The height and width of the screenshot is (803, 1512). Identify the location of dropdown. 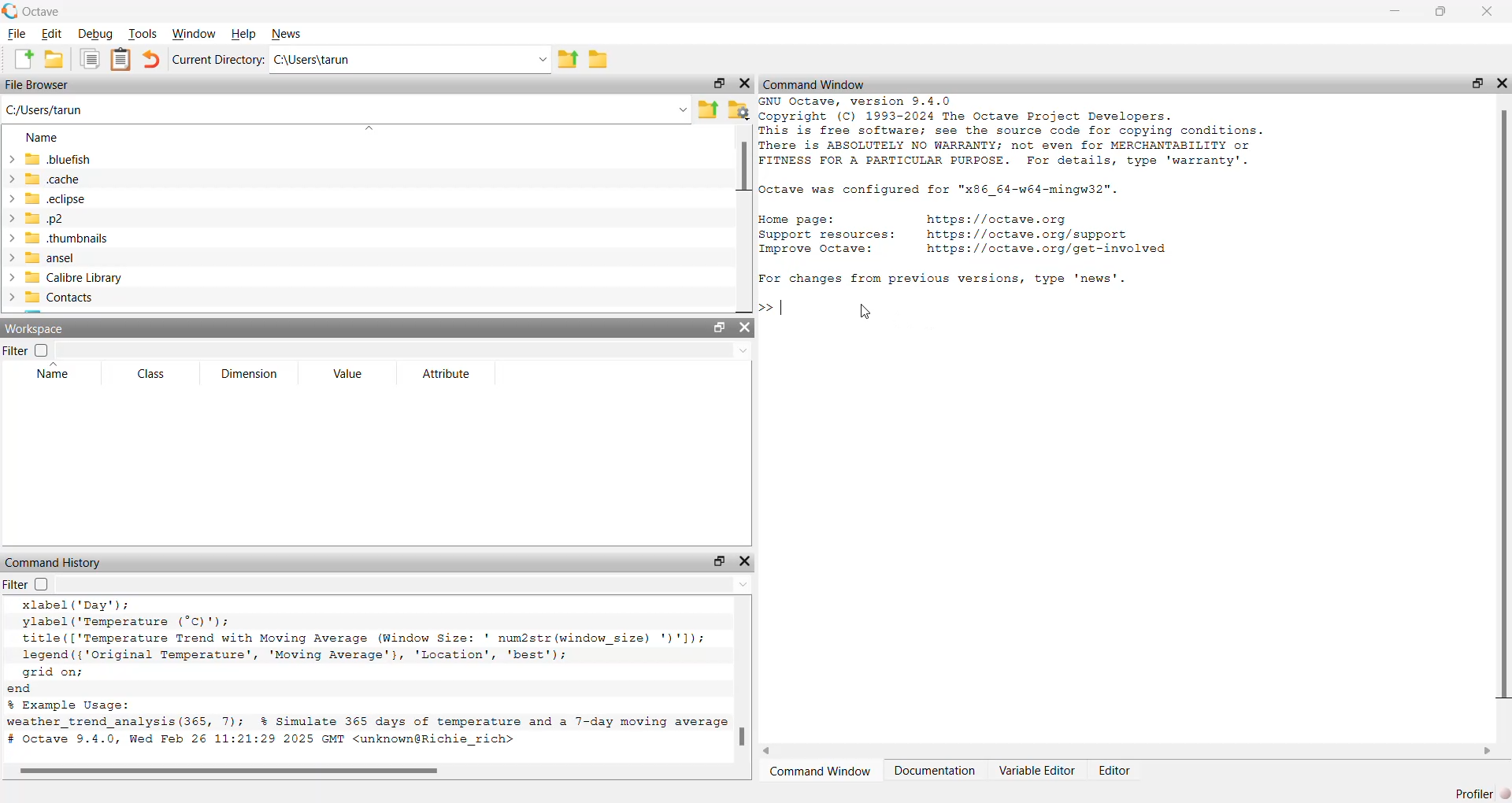
(683, 110).